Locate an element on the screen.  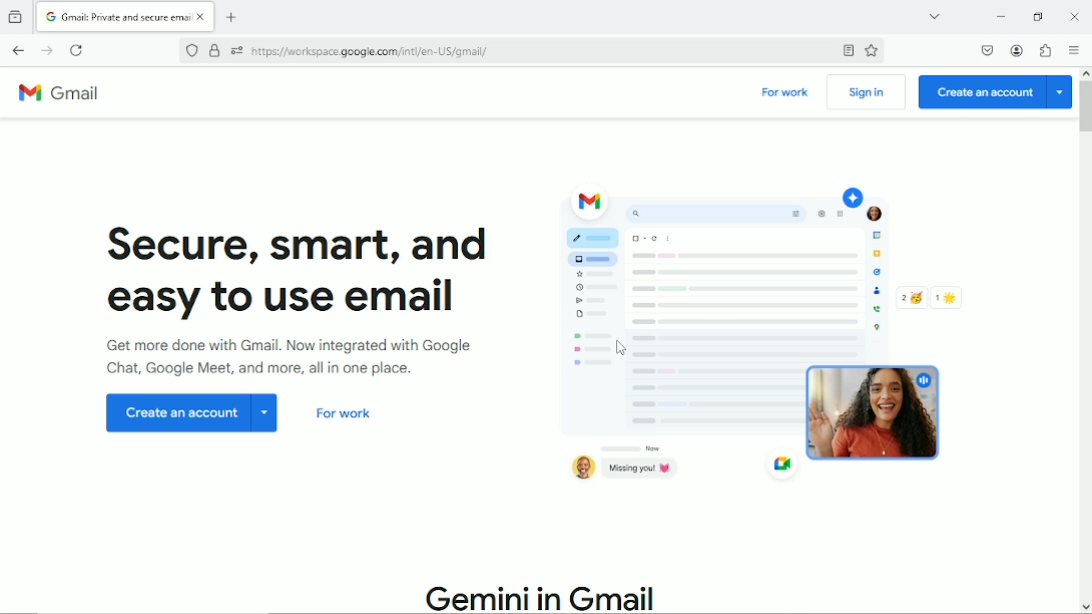
Extensions is located at coordinates (1047, 51).